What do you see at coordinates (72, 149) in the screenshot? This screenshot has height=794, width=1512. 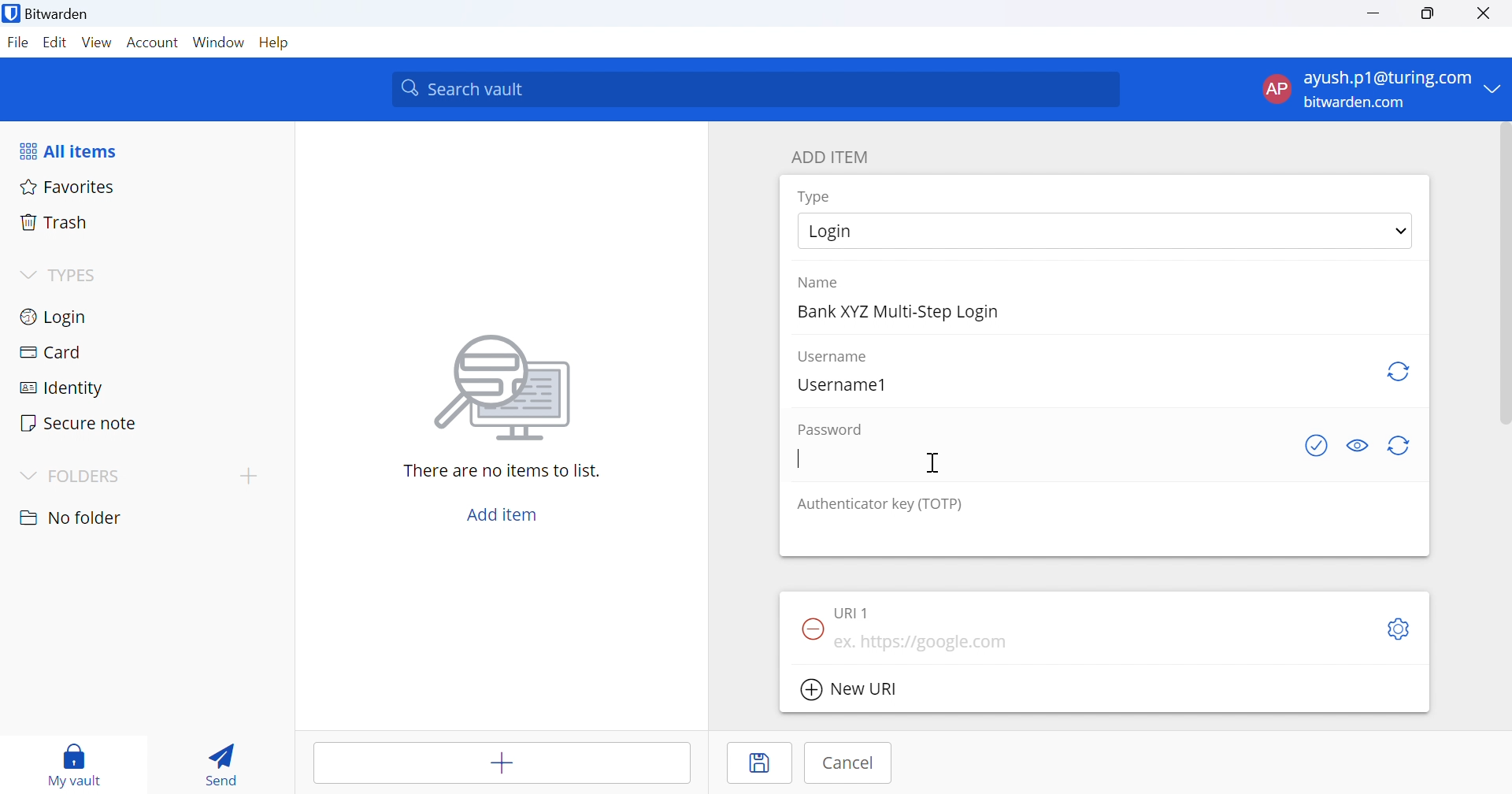 I see `All items` at bounding box center [72, 149].